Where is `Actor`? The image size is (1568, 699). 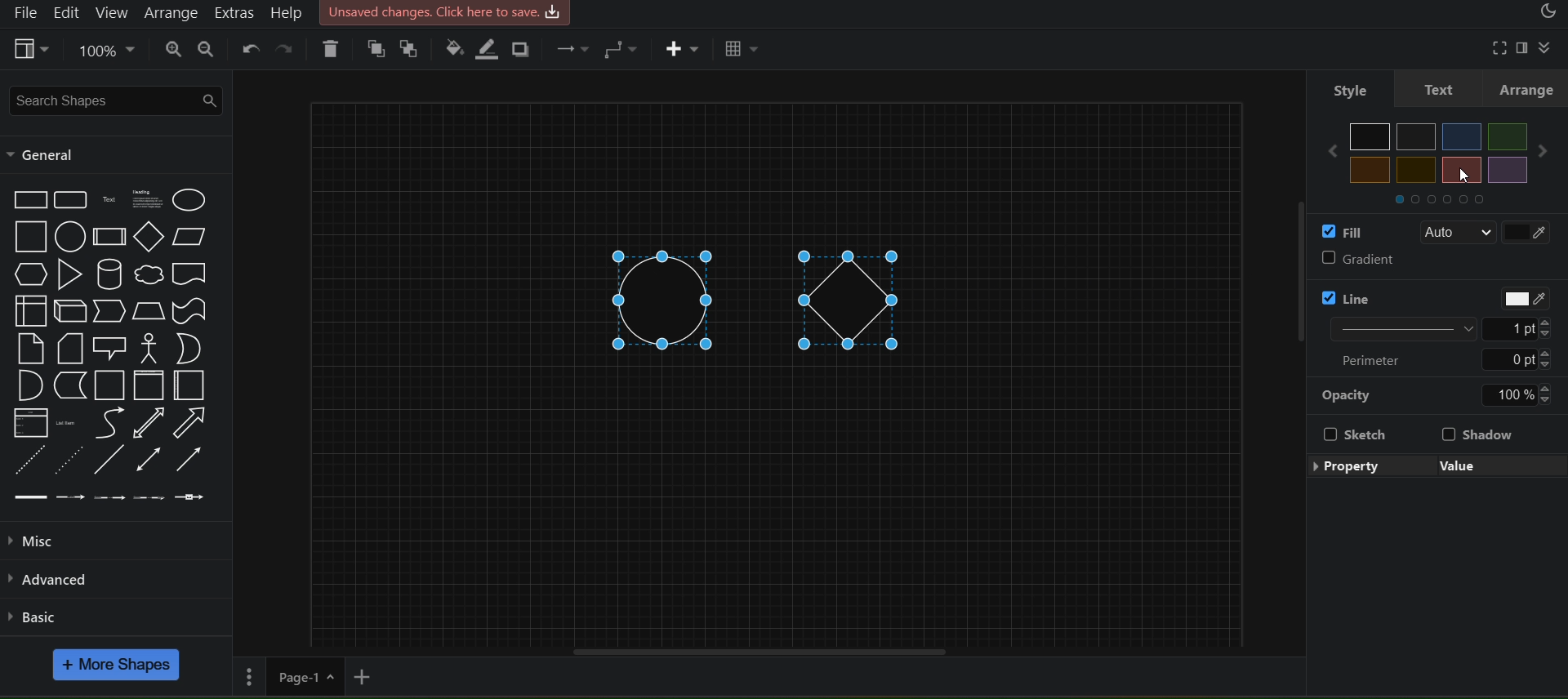
Actor is located at coordinates (149, 347).